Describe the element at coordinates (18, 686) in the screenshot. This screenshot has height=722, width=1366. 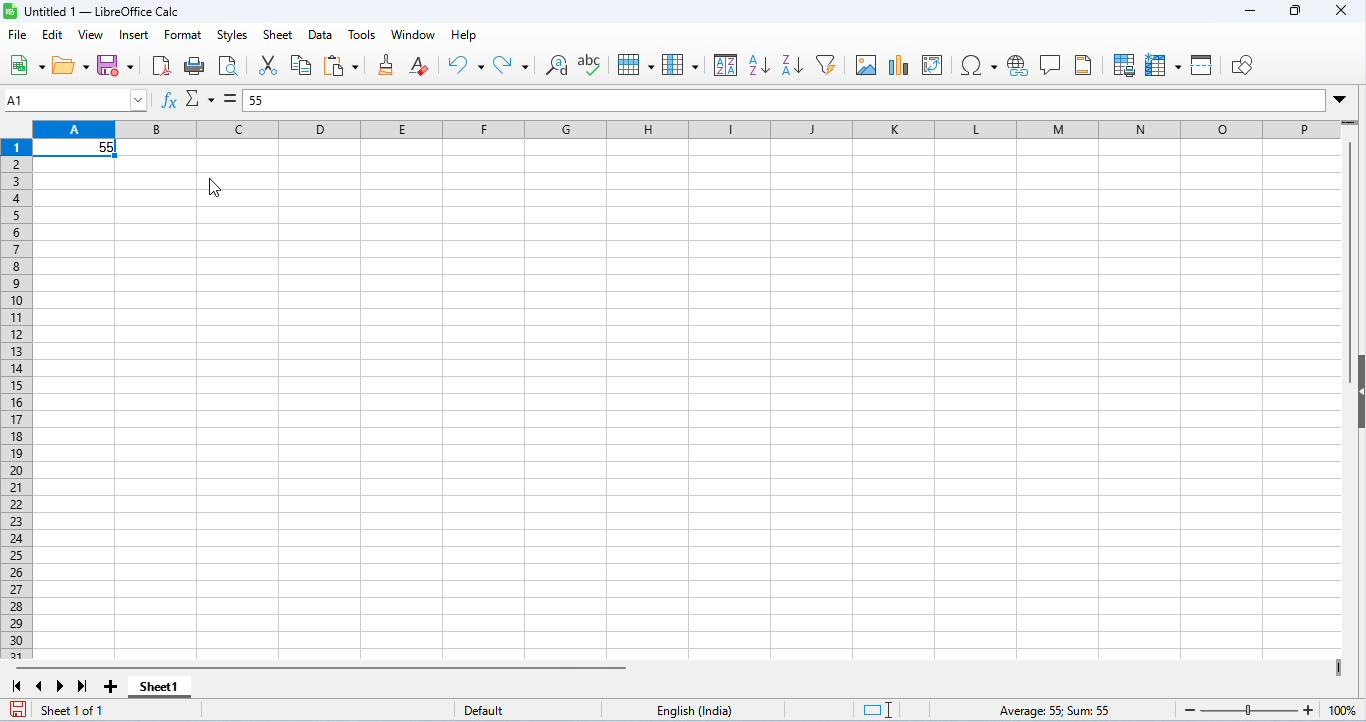
I see `first sheet` at that location.